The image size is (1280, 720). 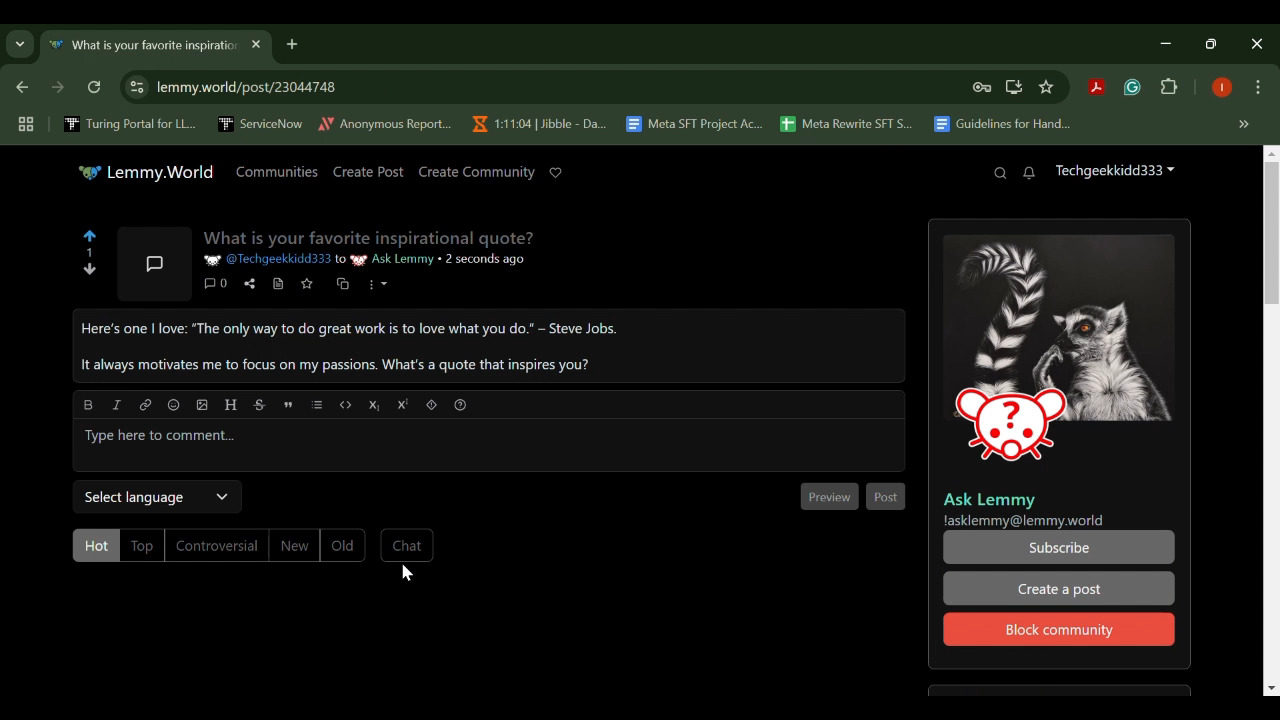 I want to click on Community Post Icon, so click(x=149, y=263).